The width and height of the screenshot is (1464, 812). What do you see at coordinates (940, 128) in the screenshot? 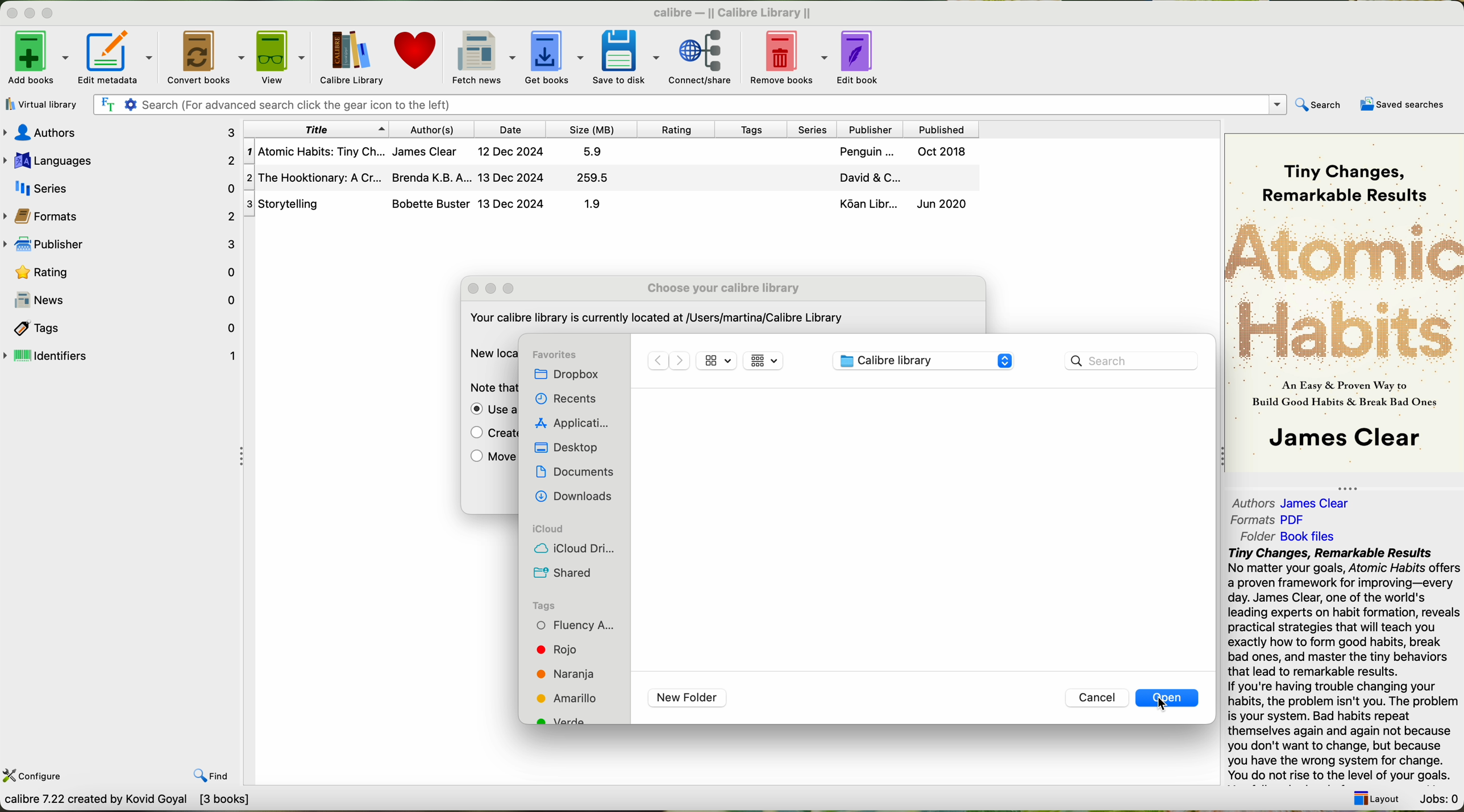
I see `published` at bounding box center [940, 128].